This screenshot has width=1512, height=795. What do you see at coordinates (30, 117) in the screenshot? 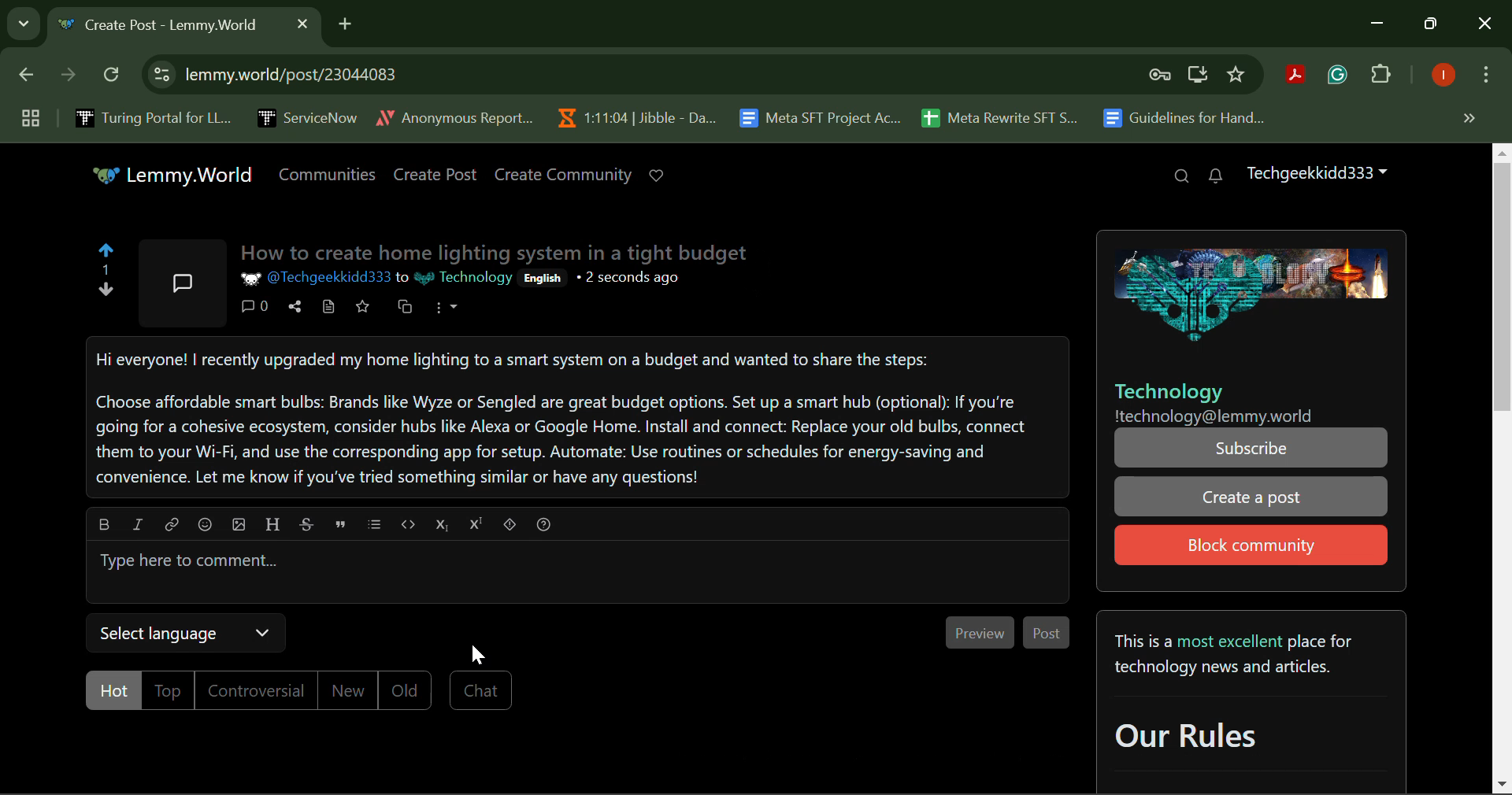
I see `Group Tabs` at bounding box center [30, 117].